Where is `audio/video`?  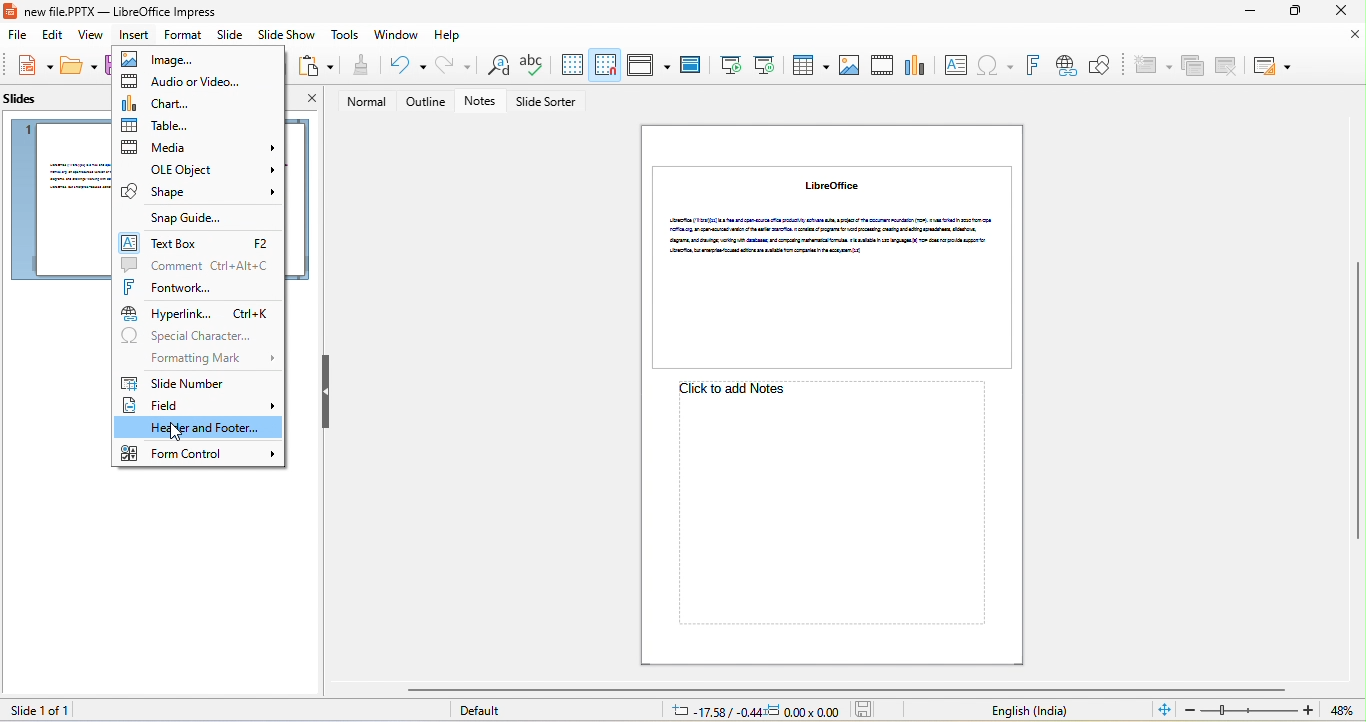 audio/video is located at coordinates (884, 65).